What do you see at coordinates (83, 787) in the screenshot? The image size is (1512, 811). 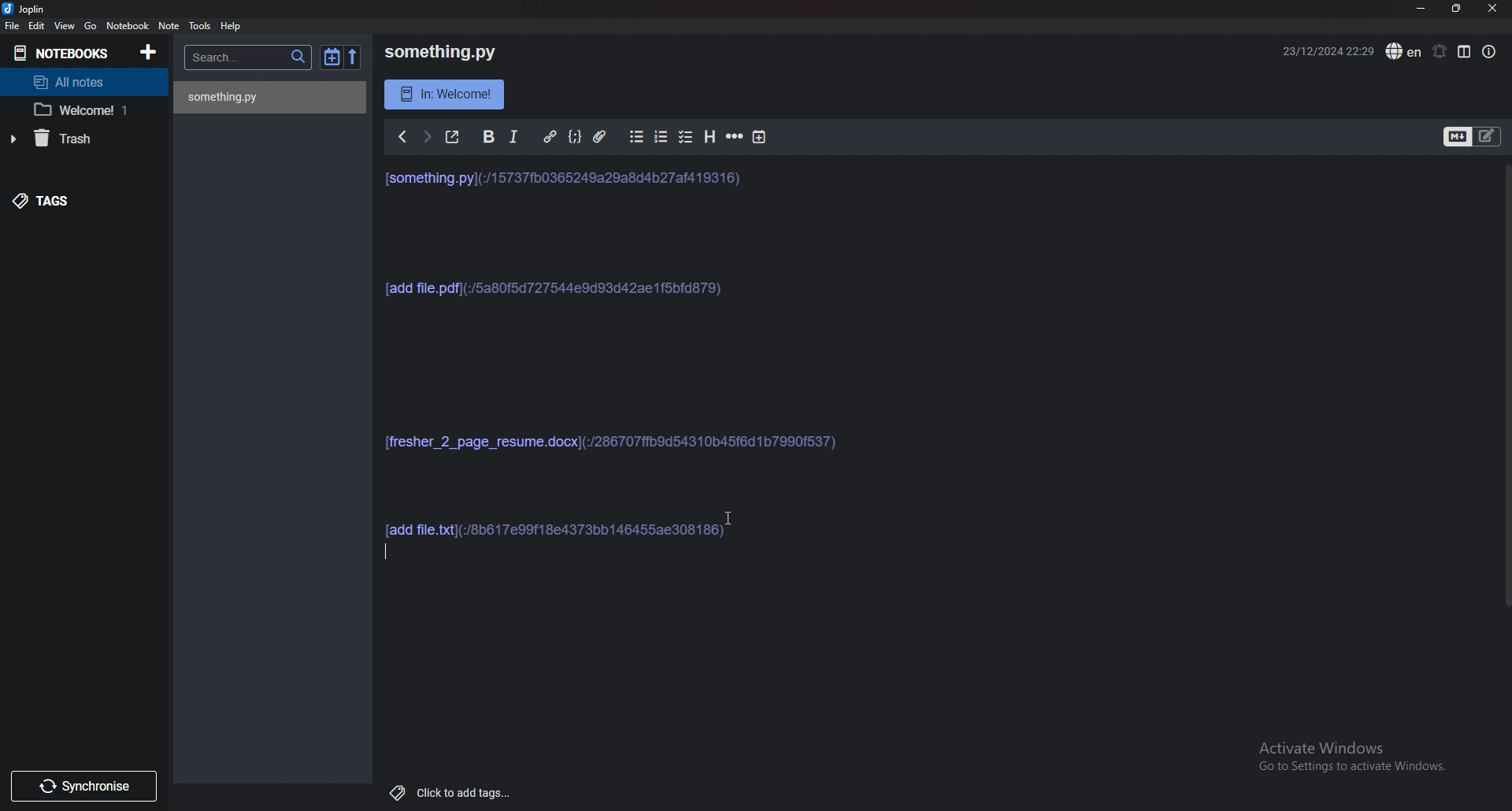 I see `Synchronize` at bounding box center [83, 787].